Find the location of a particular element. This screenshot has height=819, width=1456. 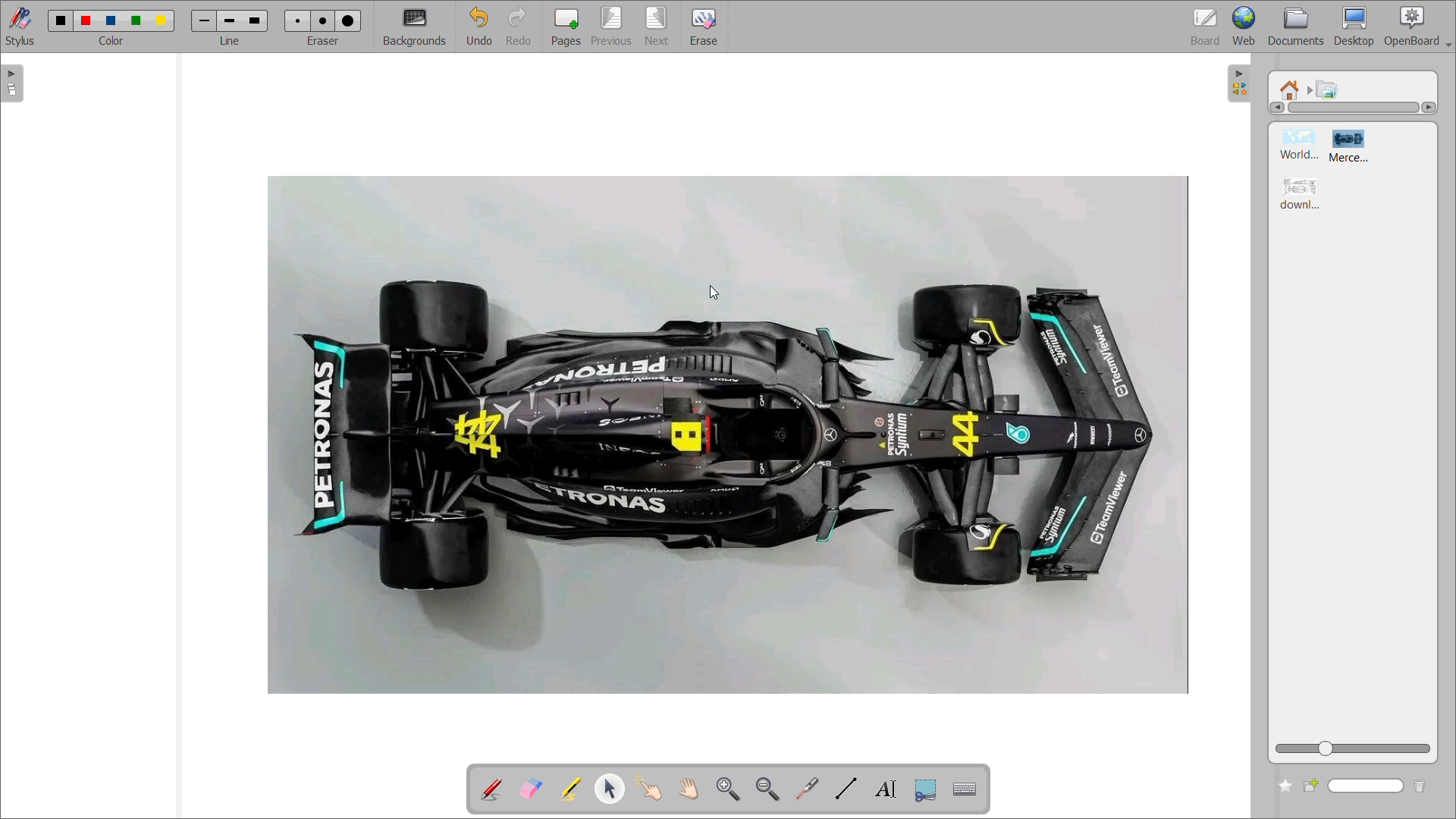

create new folder is located at coordinates (1311, 789).